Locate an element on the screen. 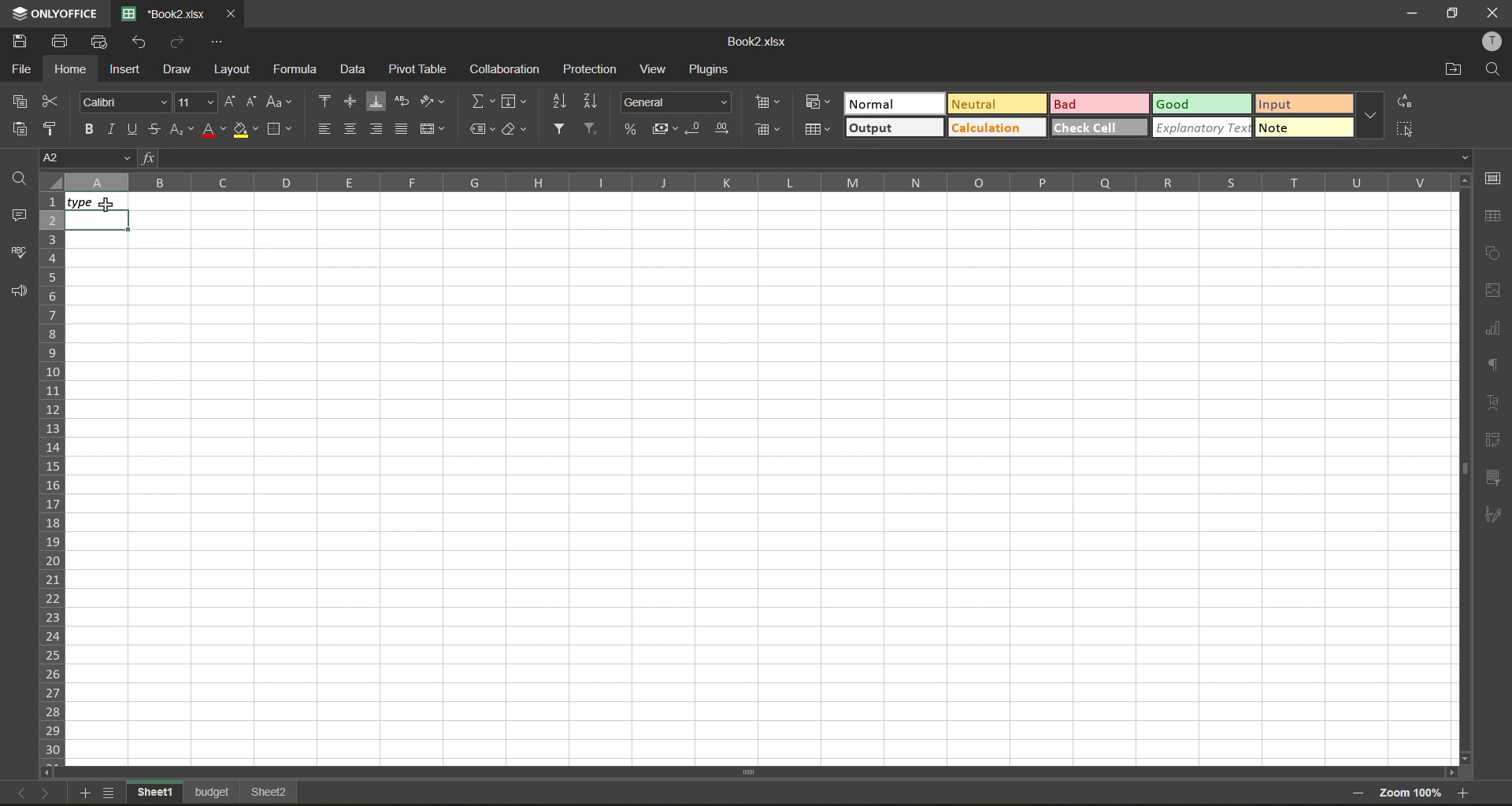 This screenshot has width=1512, height=806. font style is located at coordinates (122, 100).